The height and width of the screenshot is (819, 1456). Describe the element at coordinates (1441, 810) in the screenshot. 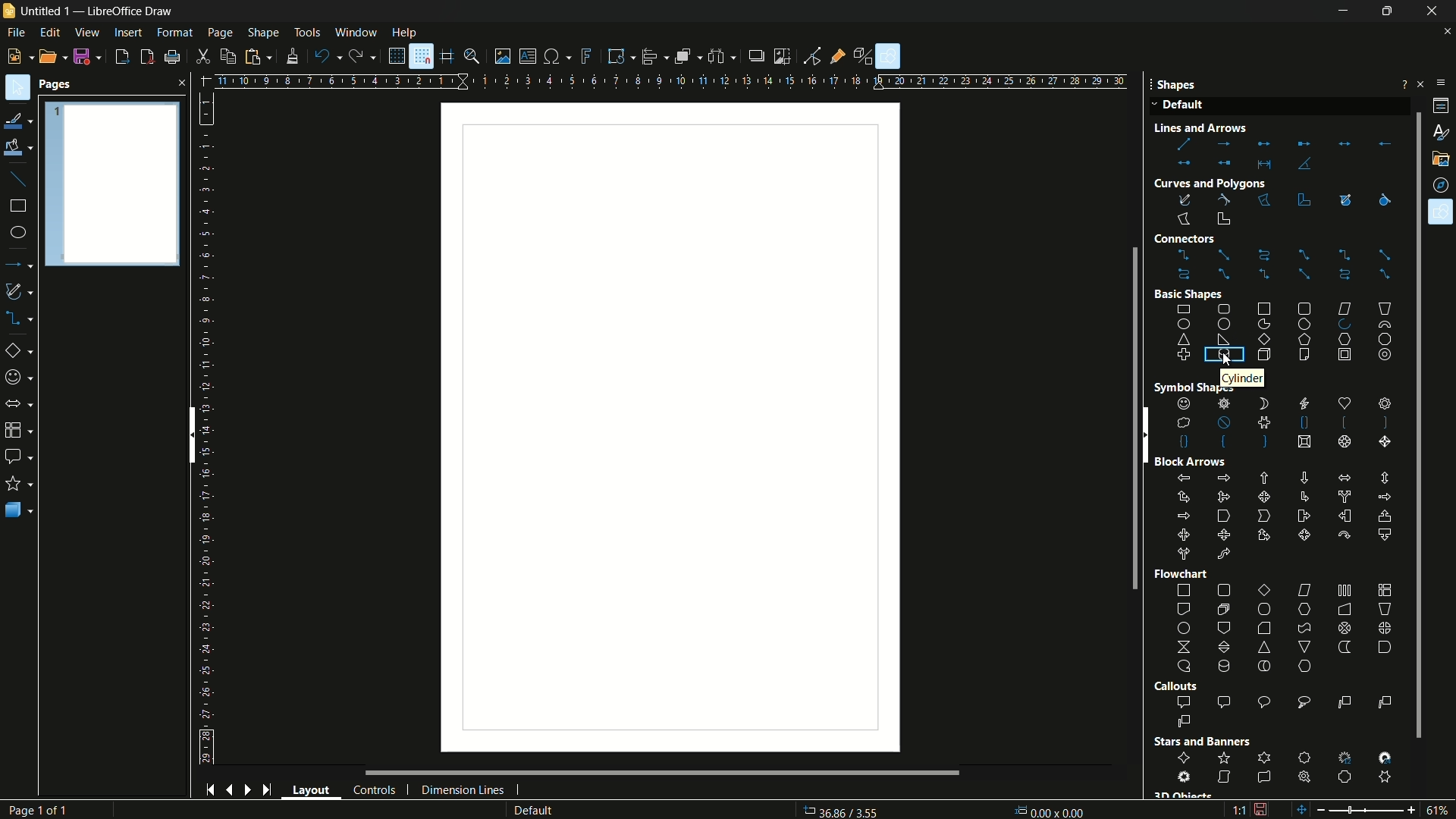

I see `zoom factor` at that location.